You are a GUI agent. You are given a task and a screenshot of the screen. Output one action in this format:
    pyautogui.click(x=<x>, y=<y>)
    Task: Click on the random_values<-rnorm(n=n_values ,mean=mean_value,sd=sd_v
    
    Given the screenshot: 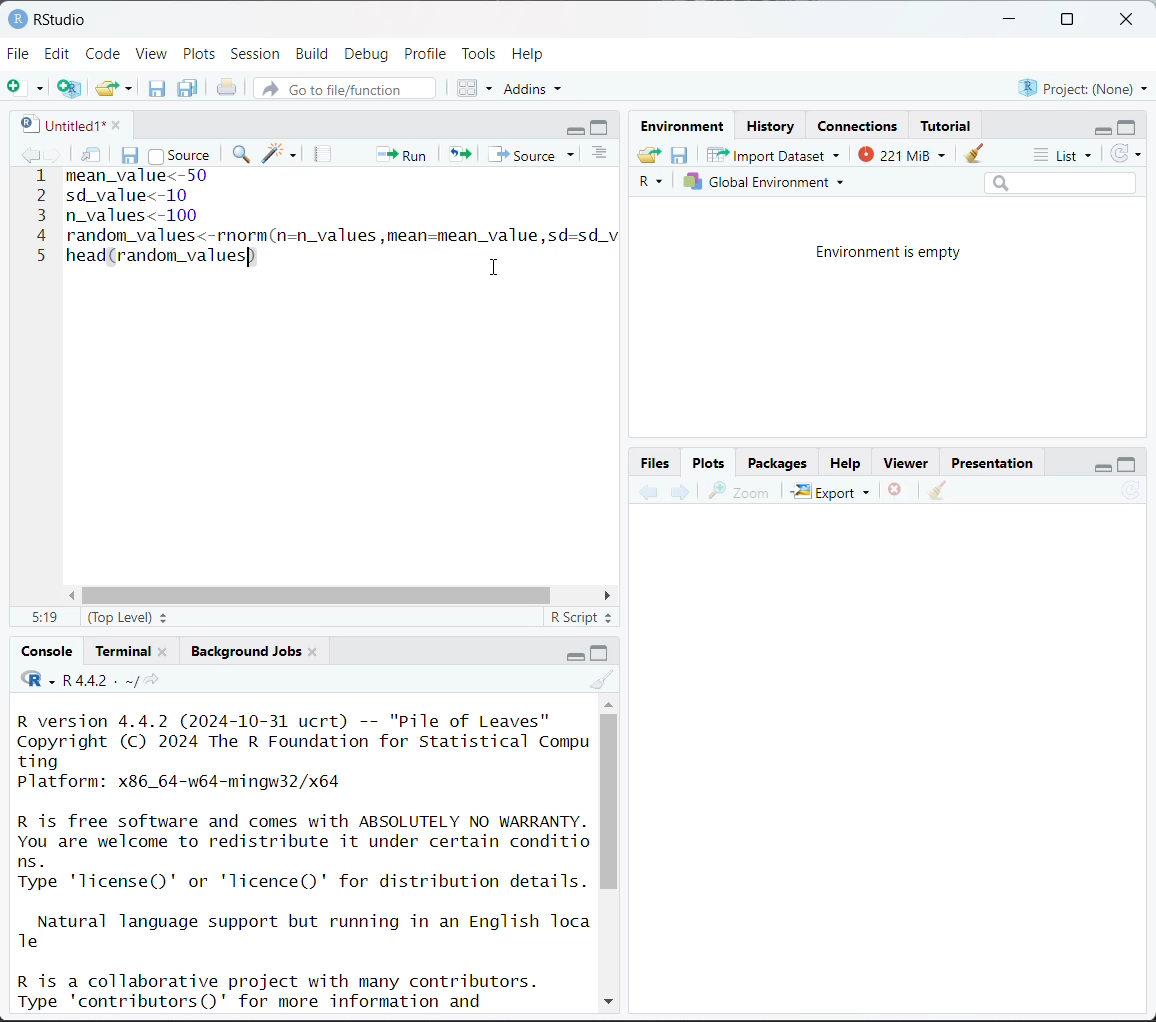 What is the action you would take?
    pyautogui.click(x=340, y=235)
    